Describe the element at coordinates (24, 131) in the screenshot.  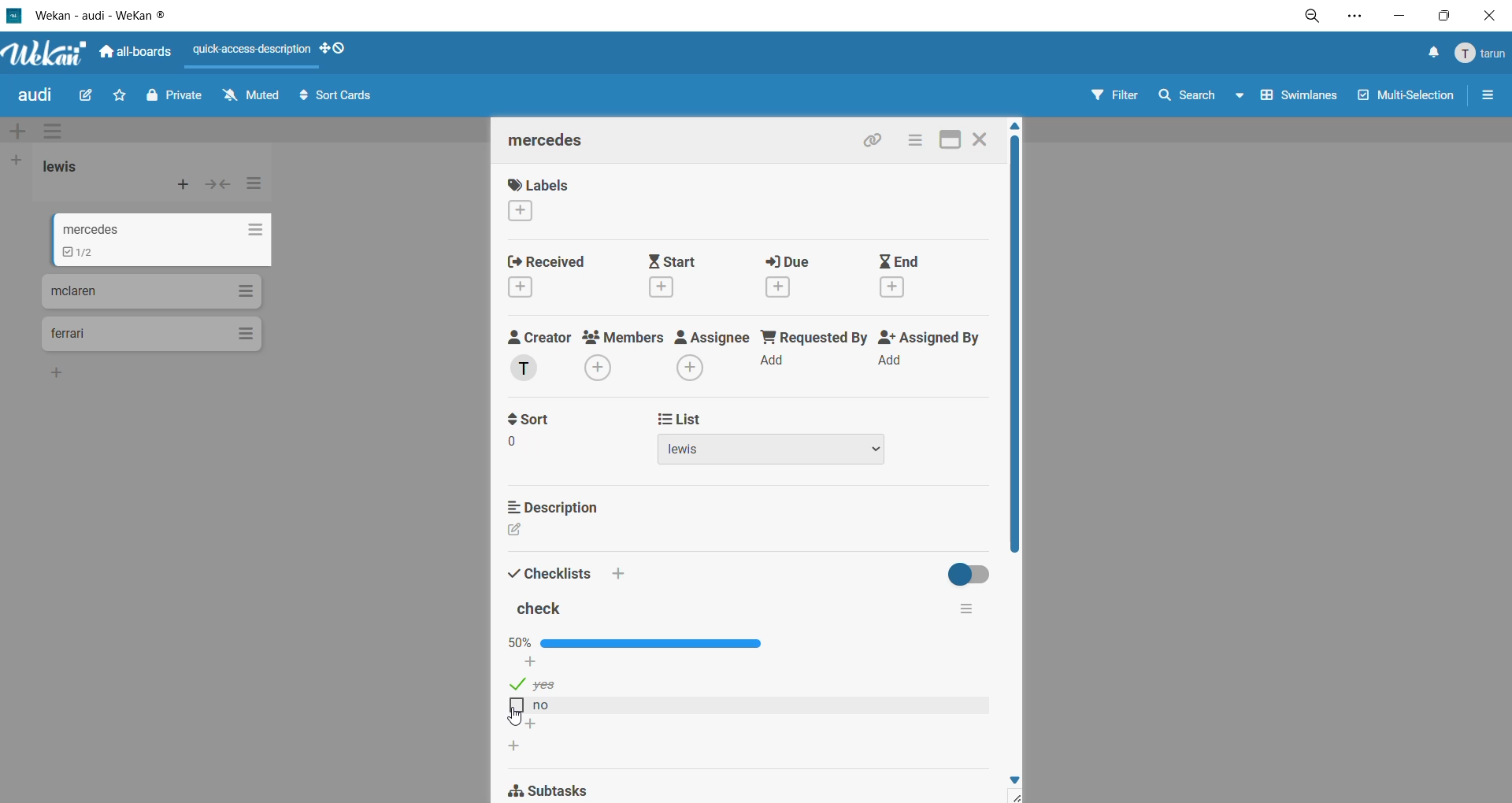
I see `add swimlane` at that location.